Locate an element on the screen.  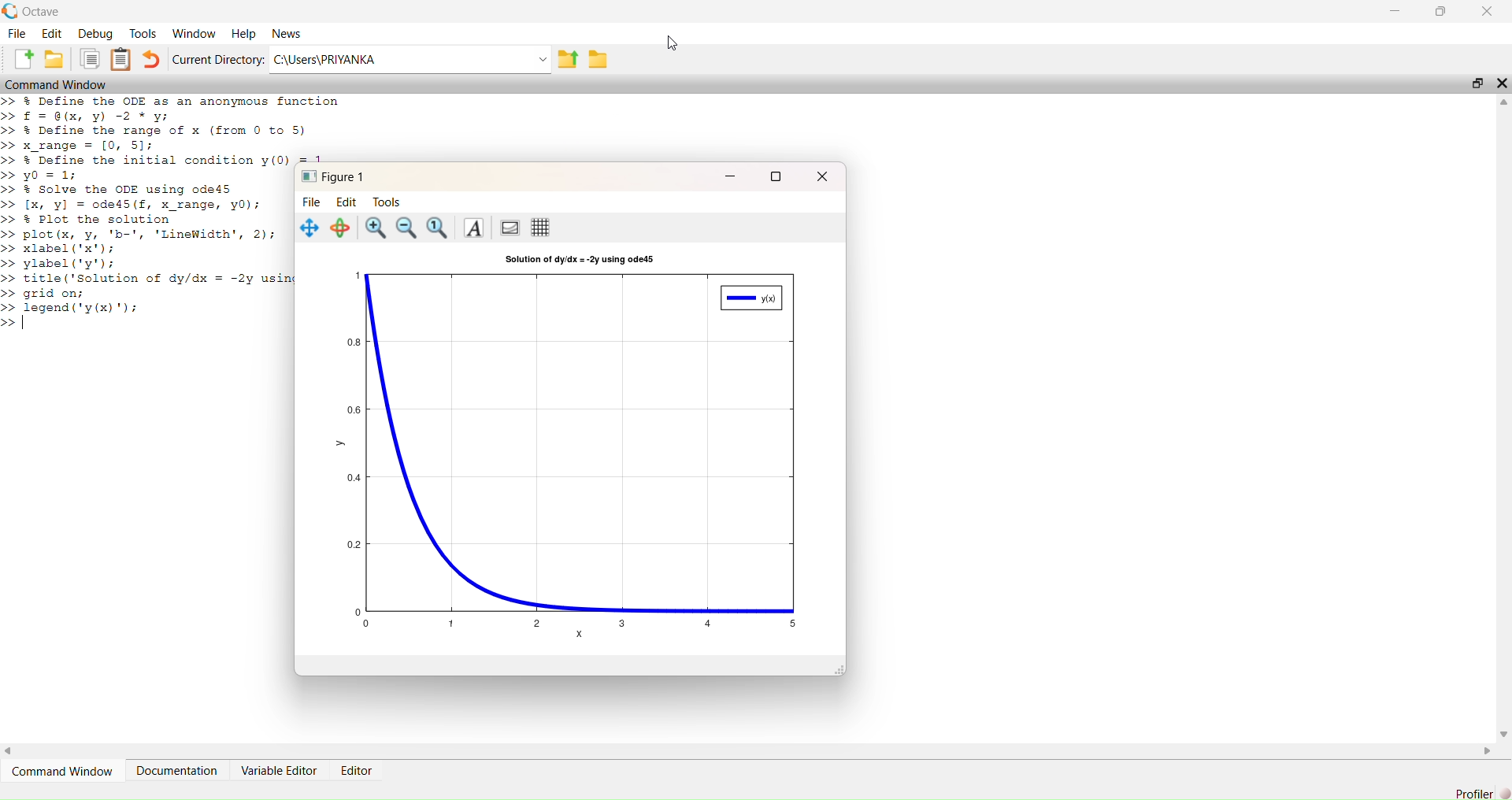
close is located at coordinates (1488, 10).